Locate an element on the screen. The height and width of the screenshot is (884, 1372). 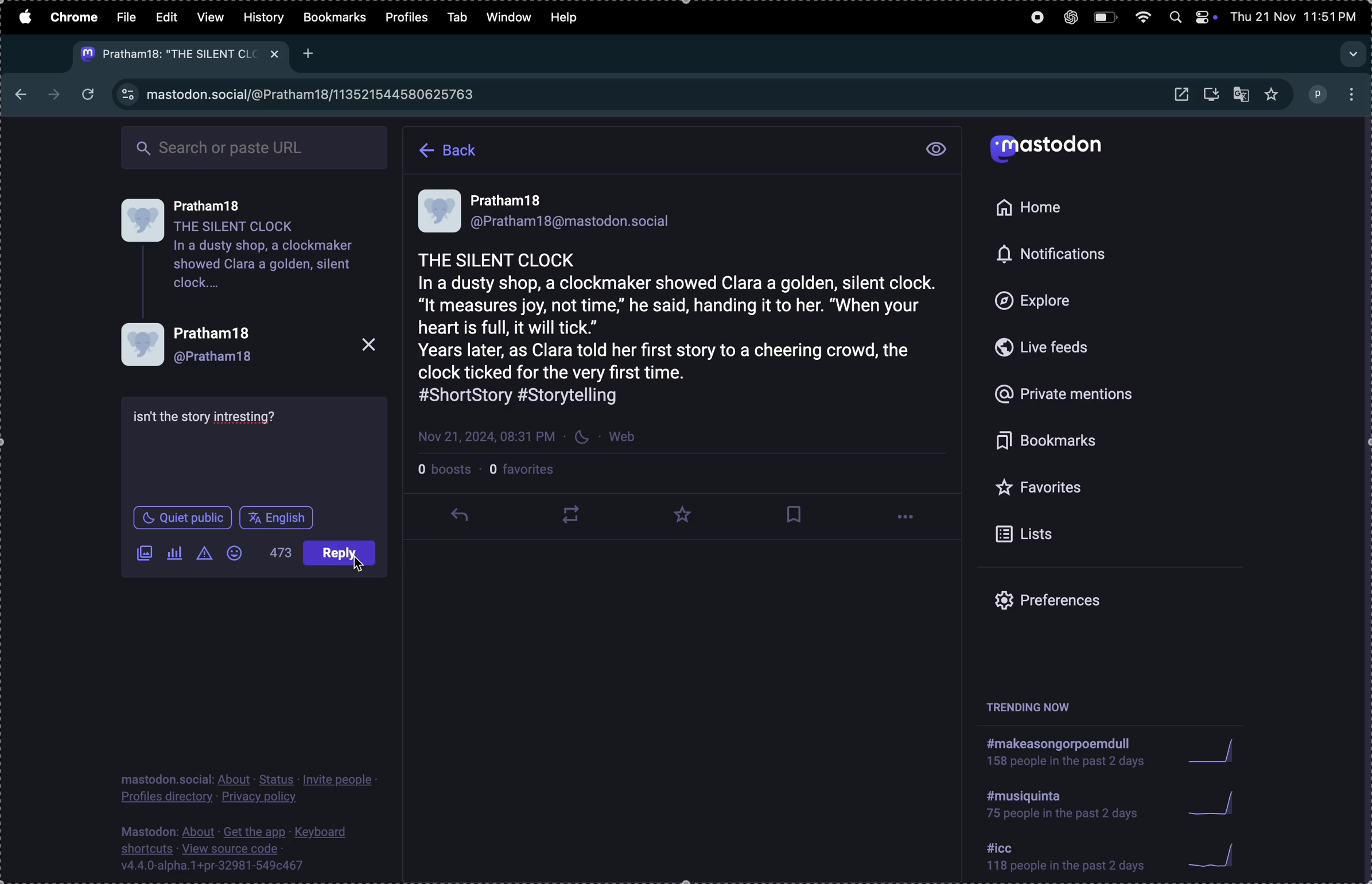
options is located at coordinates (910, 519).